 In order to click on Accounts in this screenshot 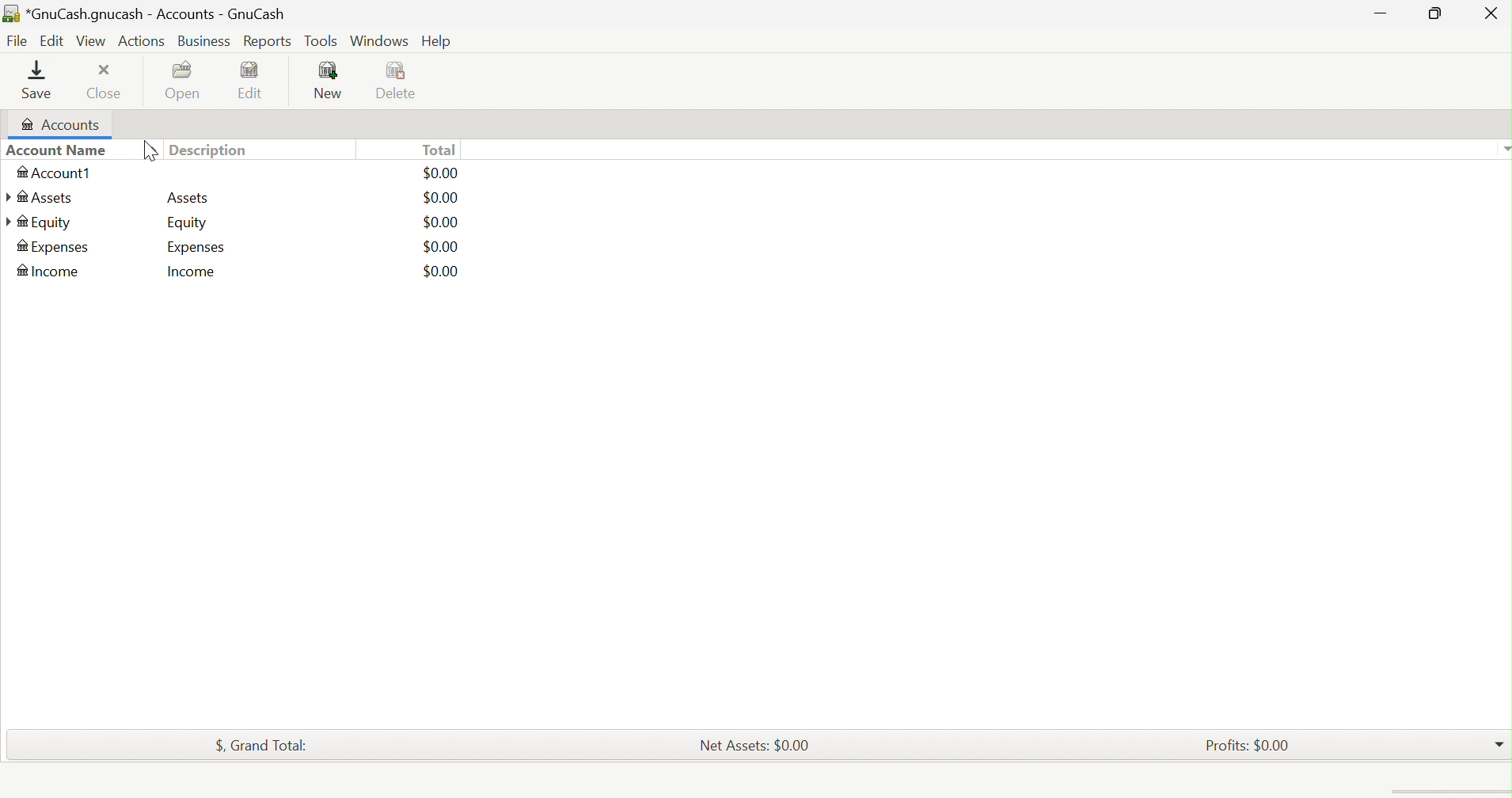, I will do `click(57, 125)`.